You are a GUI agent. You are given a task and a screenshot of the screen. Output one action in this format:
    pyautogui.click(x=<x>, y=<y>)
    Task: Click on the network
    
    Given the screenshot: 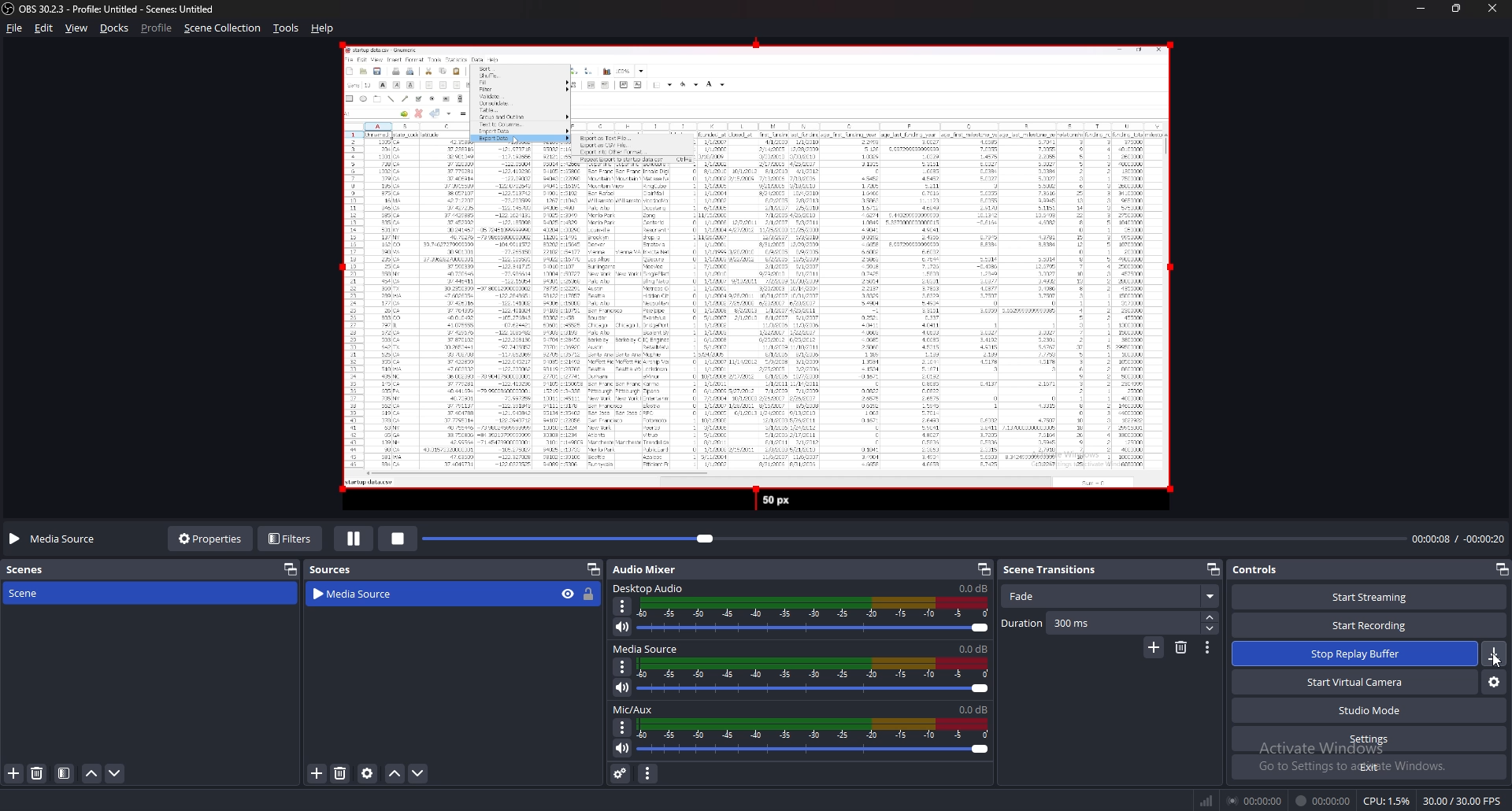 What is the action you would take?
    pyautogui.click(x=1208, y=801)
    